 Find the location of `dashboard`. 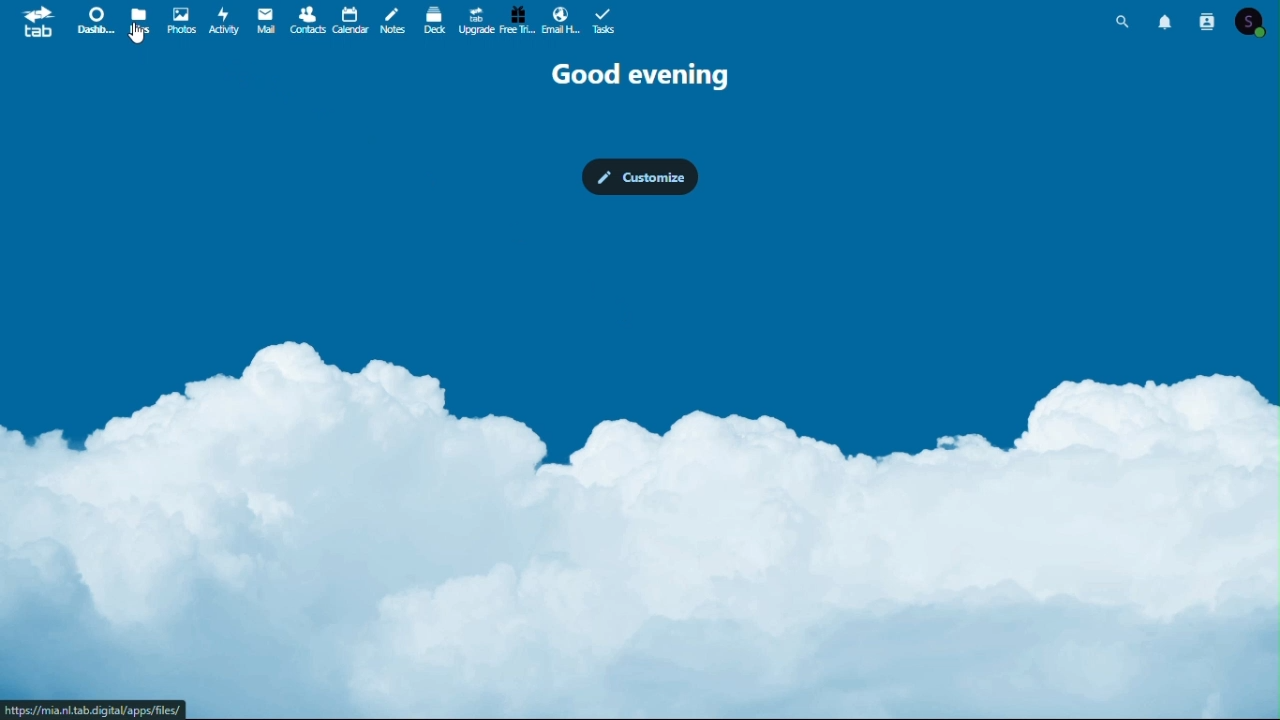

dashboard is located at coordinates (95, 19).